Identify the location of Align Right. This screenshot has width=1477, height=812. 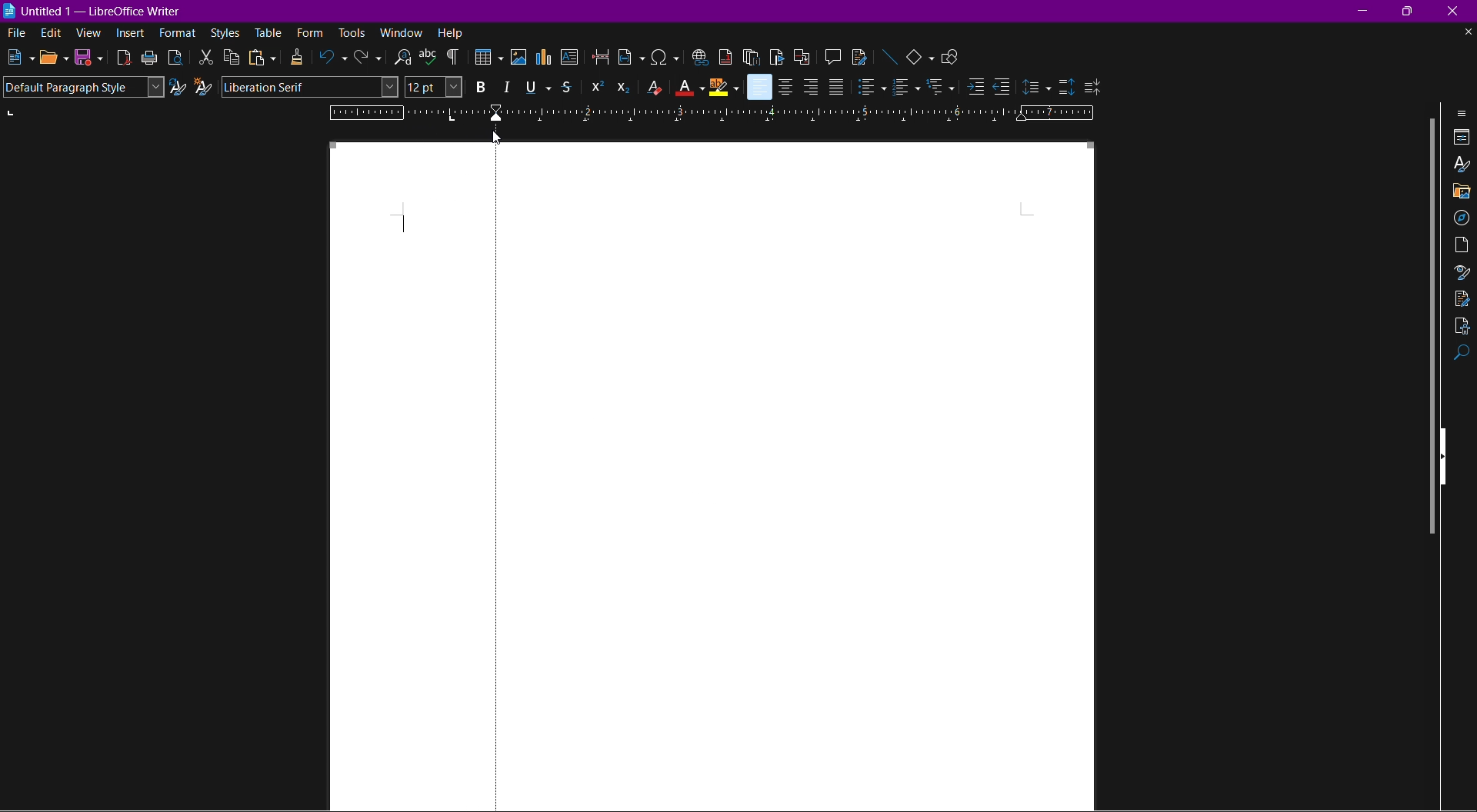
(811, 86).